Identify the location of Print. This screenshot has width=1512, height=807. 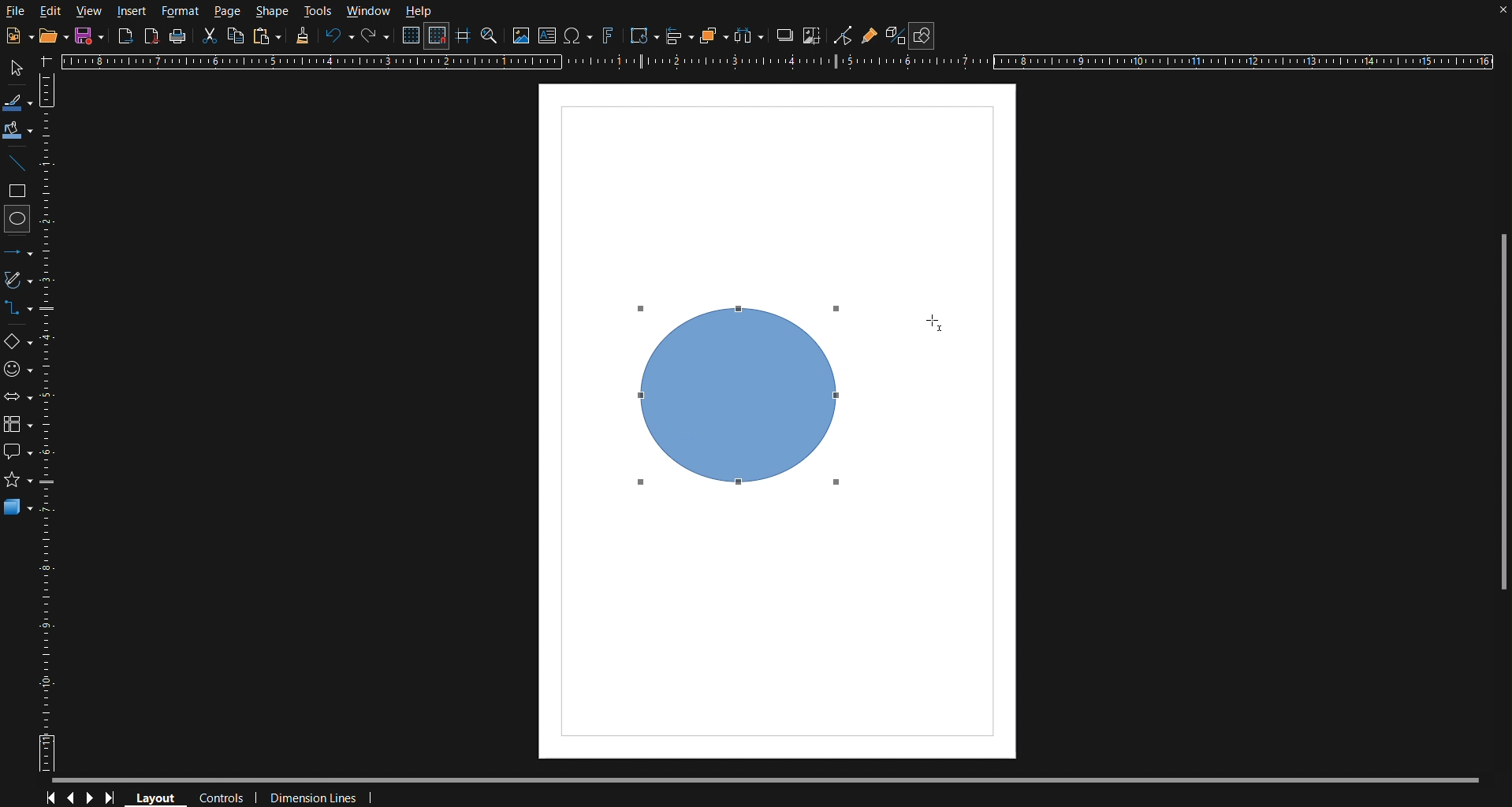
(180, 35).